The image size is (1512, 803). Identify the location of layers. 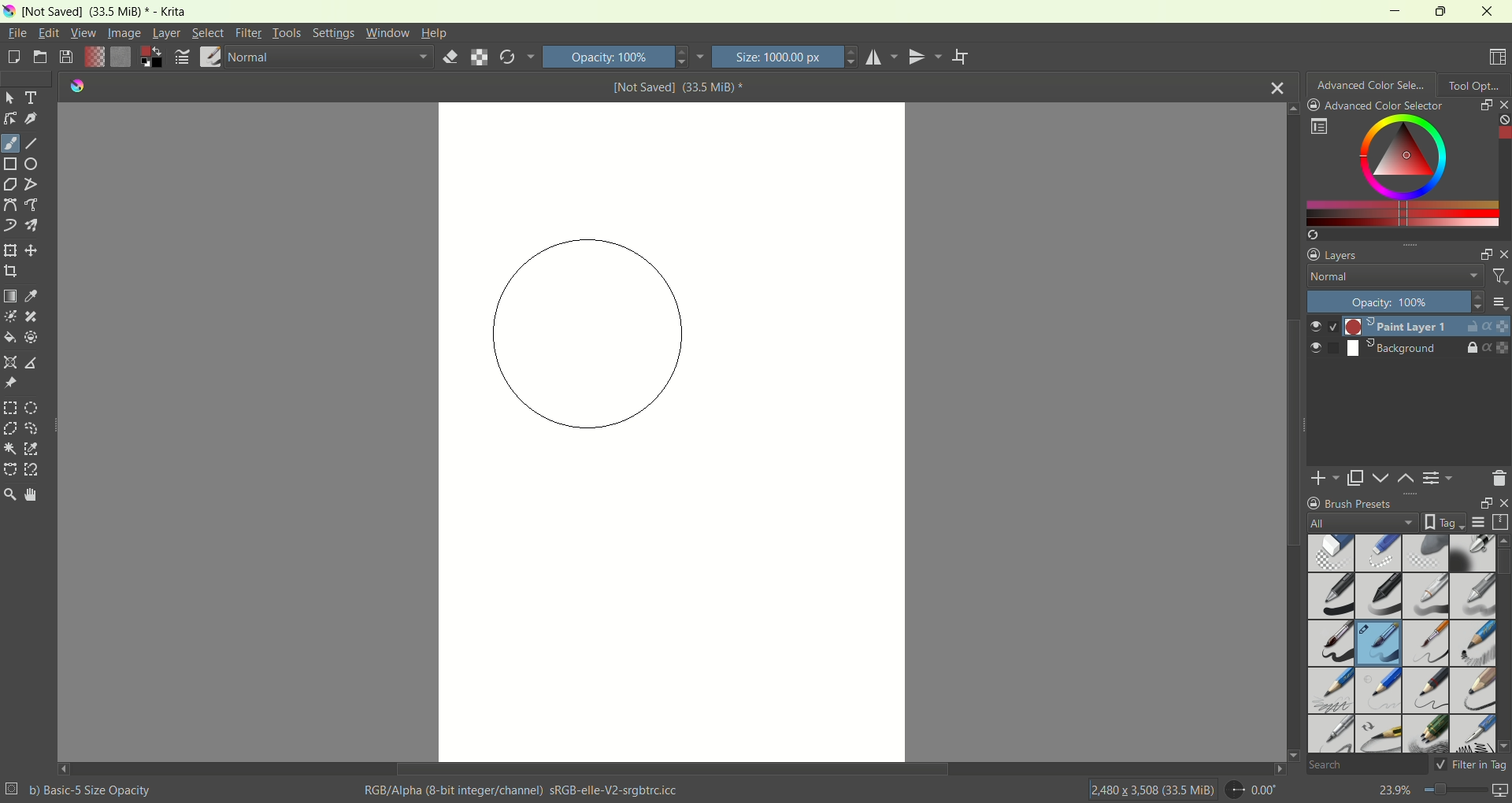
(1336, 253).